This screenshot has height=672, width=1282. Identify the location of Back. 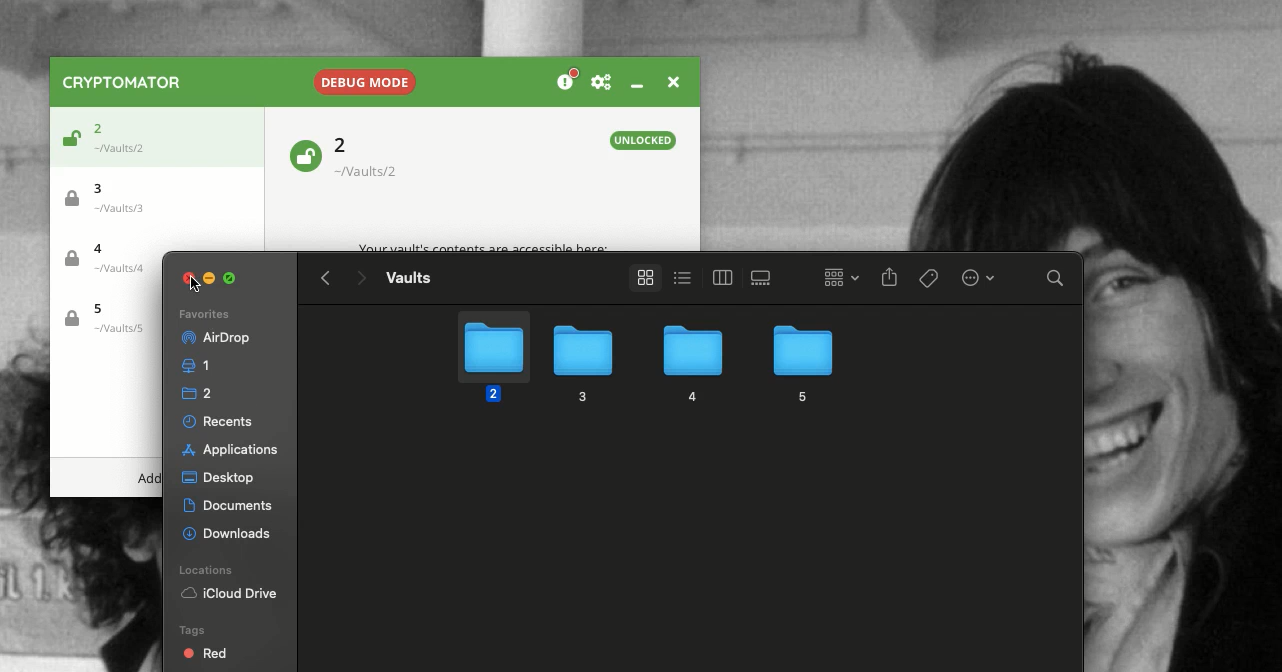
(326, 278).